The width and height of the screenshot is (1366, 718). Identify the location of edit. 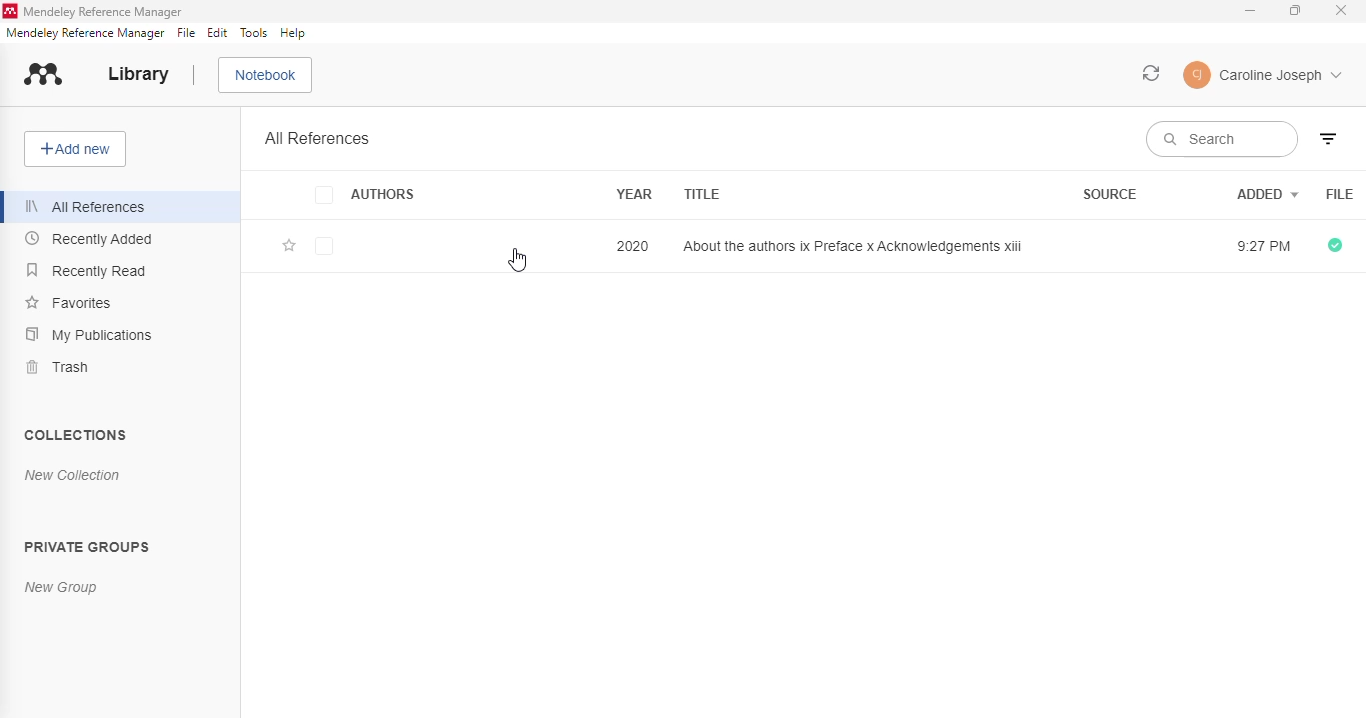
(219, 33).